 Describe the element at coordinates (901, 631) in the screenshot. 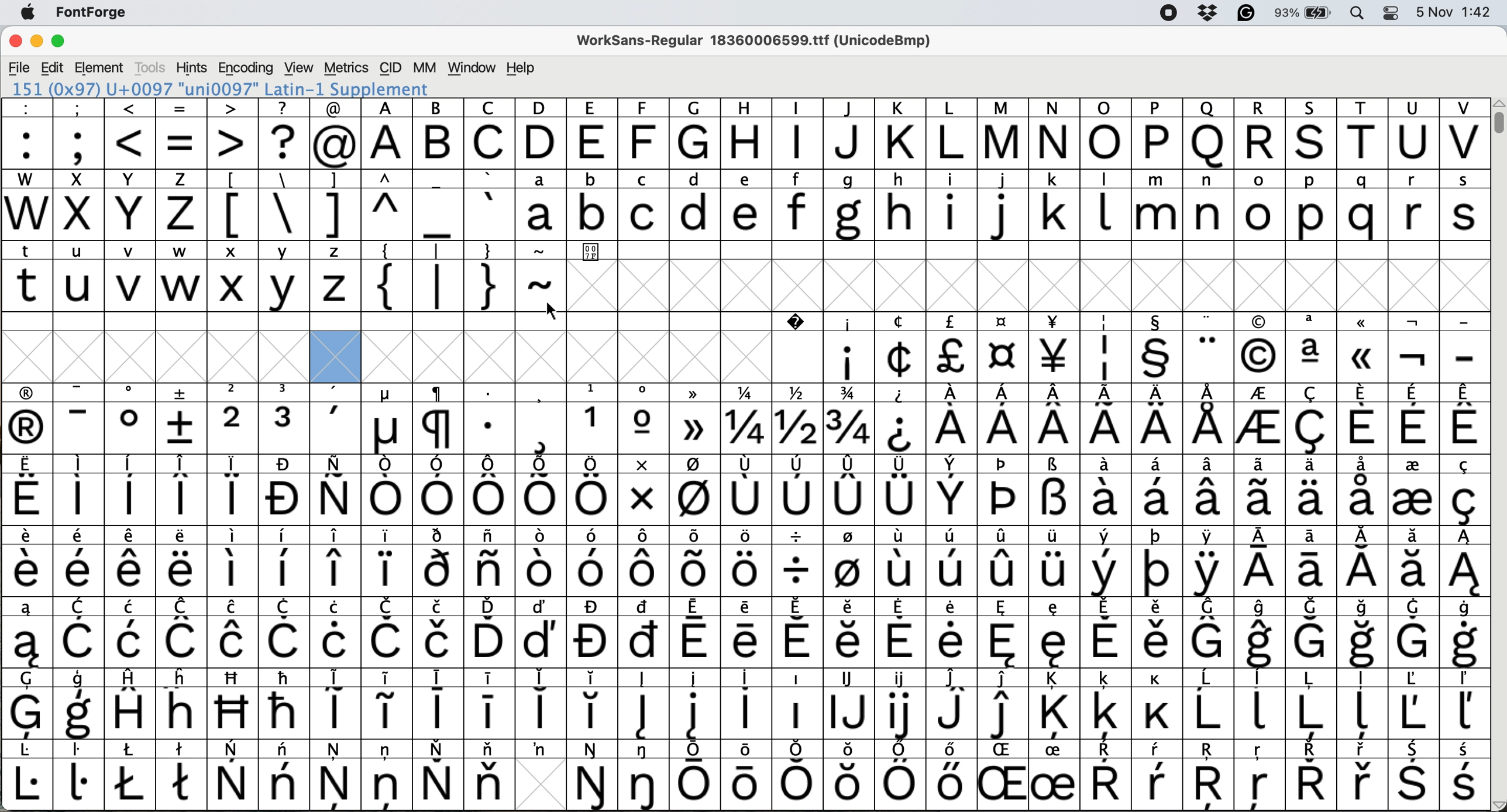

I see `symbol` at that location.